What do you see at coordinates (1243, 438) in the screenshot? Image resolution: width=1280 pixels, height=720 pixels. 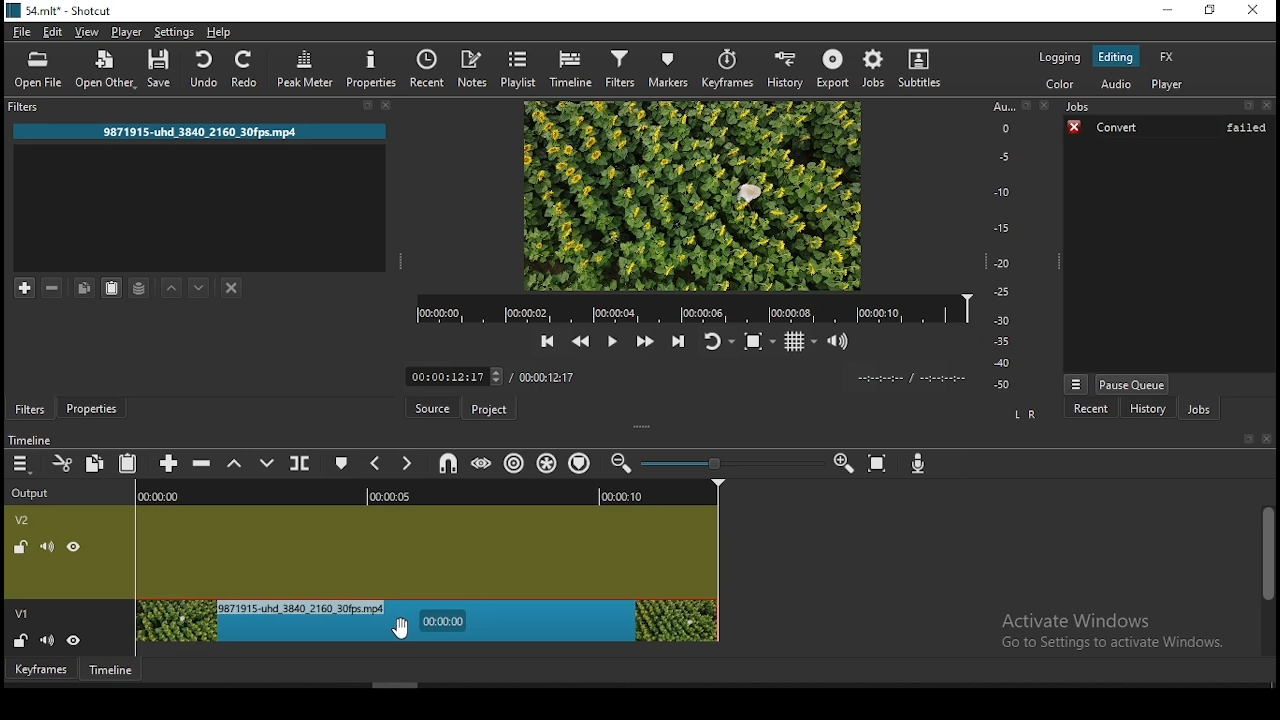 I see `bookmark` at bounding box center [1243, 438].